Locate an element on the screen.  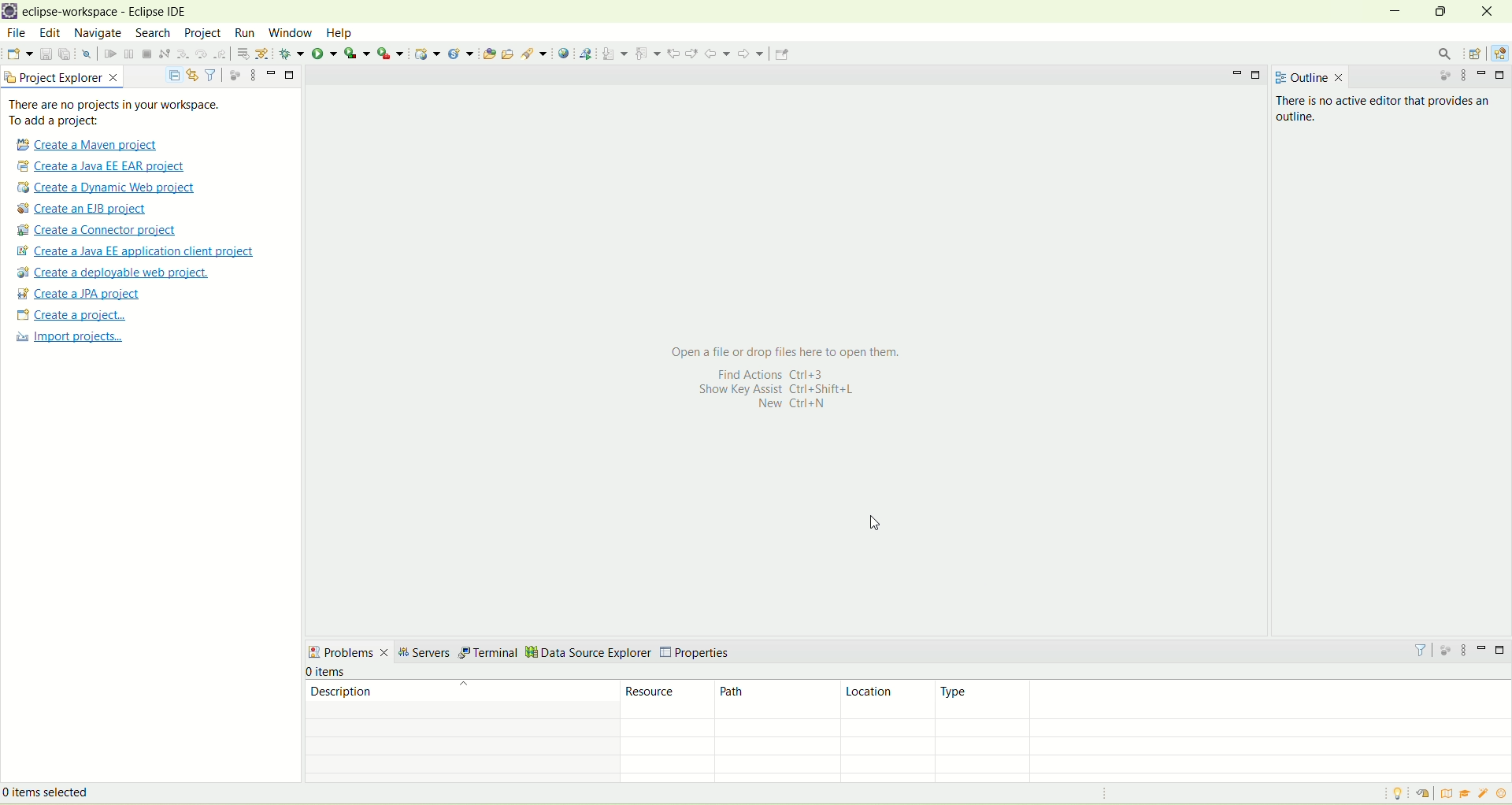
disconnect is located at coordinates (226, 54).